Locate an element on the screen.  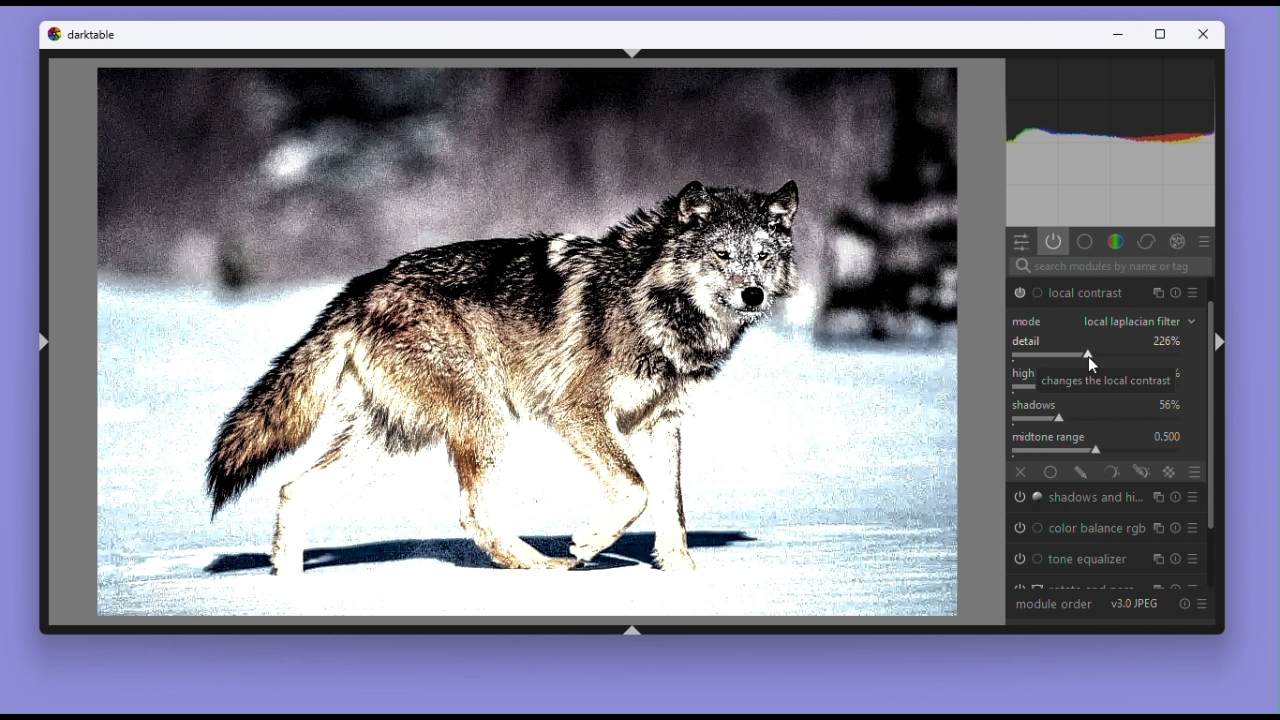
shift+ctrl+r is located at coordinates (1225, 343).